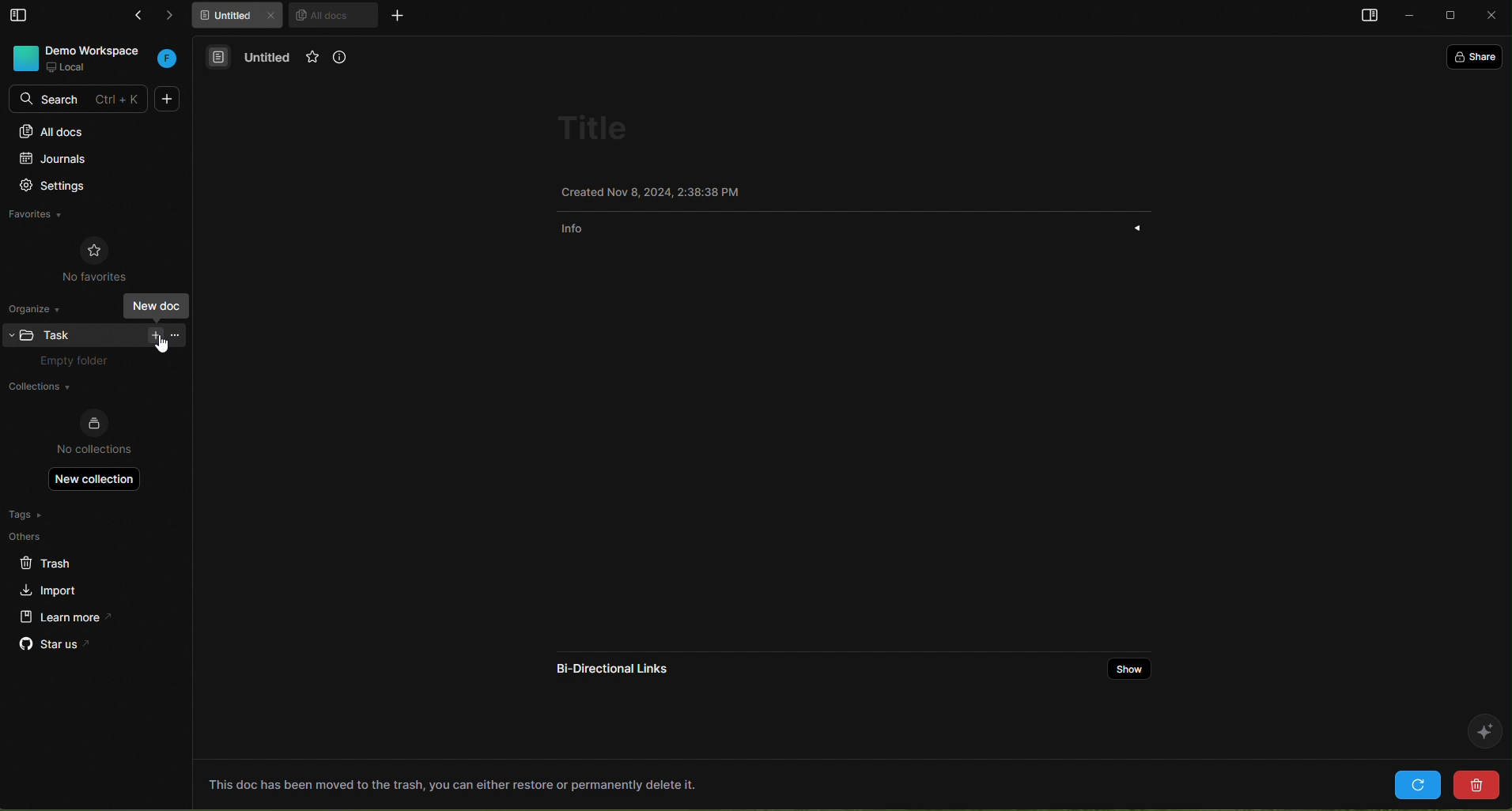 This screenshot has width=1512, height=811. Describe the element at coordinates (60, 616) in the screenshot. I see `learn more ` at that location.